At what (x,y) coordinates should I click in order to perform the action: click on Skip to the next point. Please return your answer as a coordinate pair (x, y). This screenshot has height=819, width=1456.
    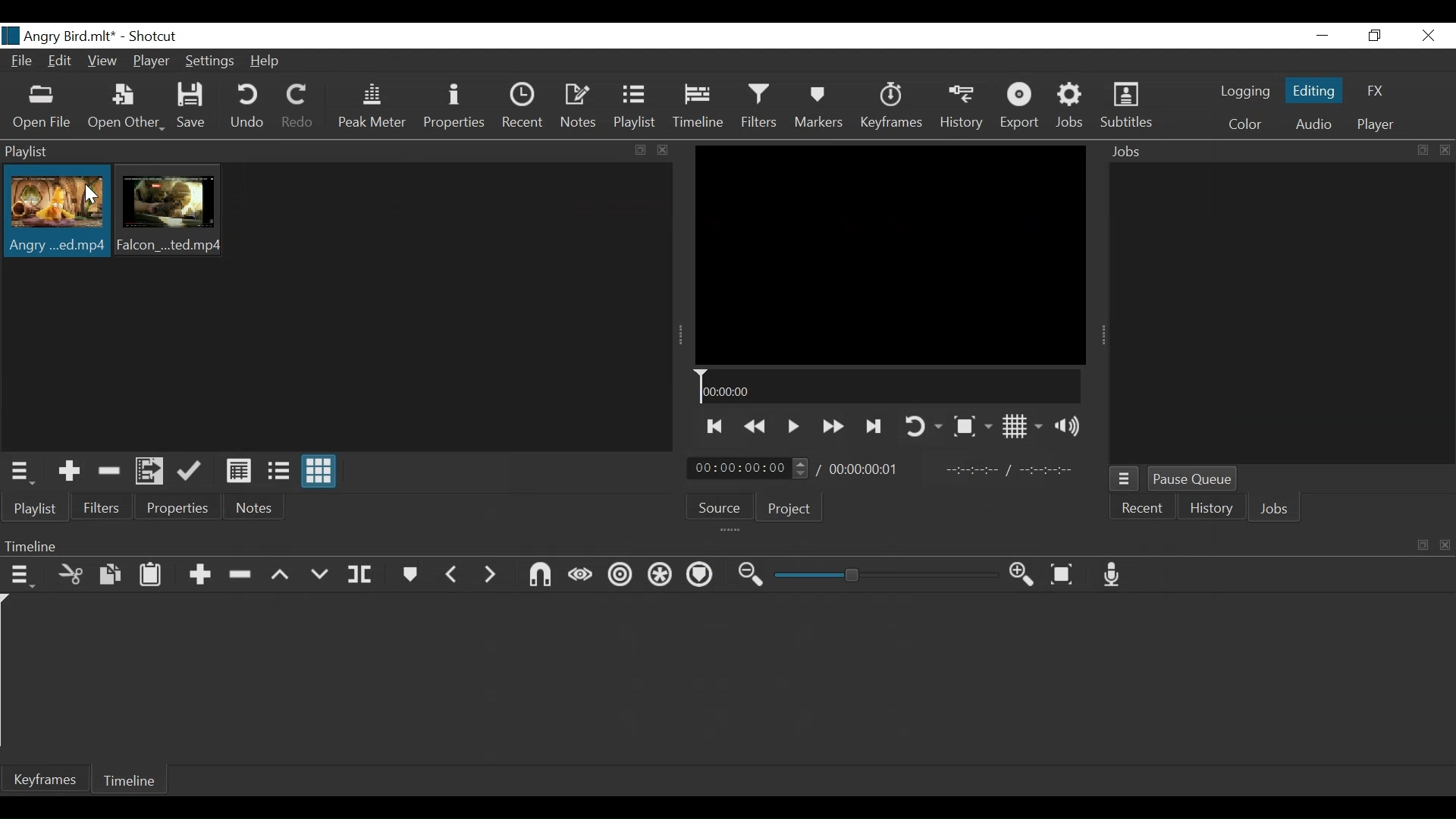
    Looking at the image, I should click on (874, 427).